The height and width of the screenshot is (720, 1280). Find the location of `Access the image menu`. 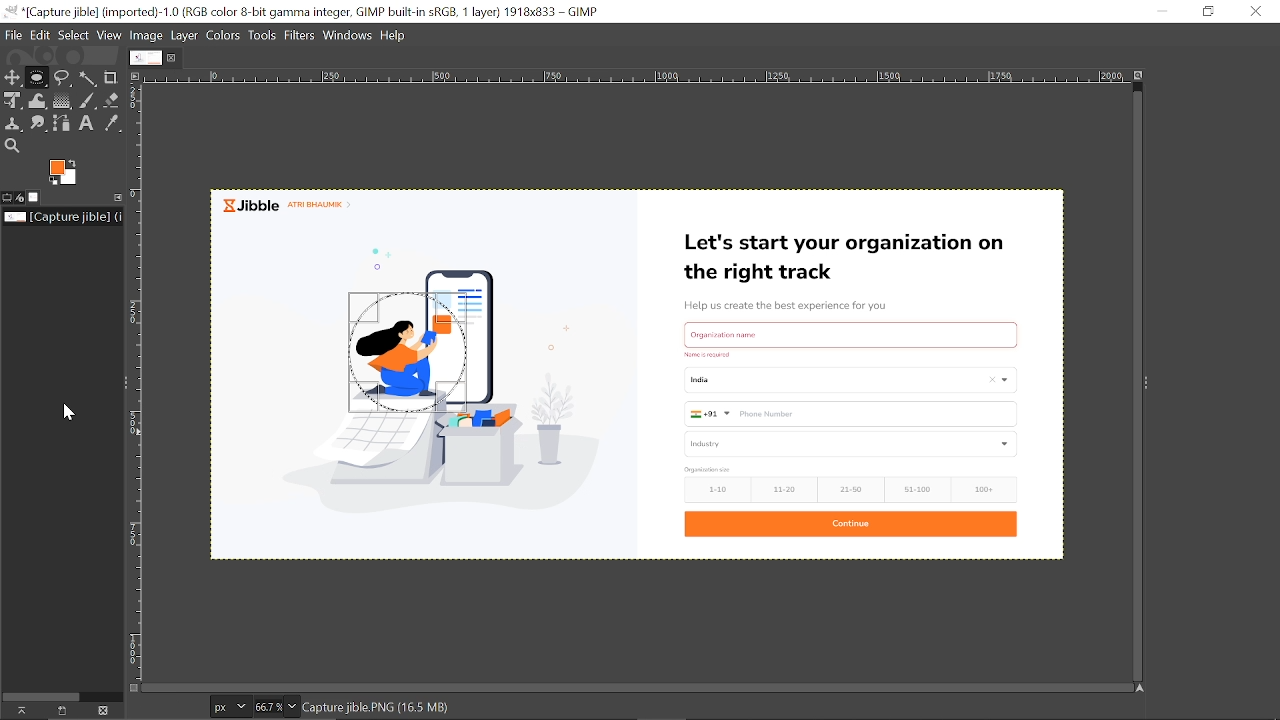

Access the image menu is located at coordinates (139, 77).